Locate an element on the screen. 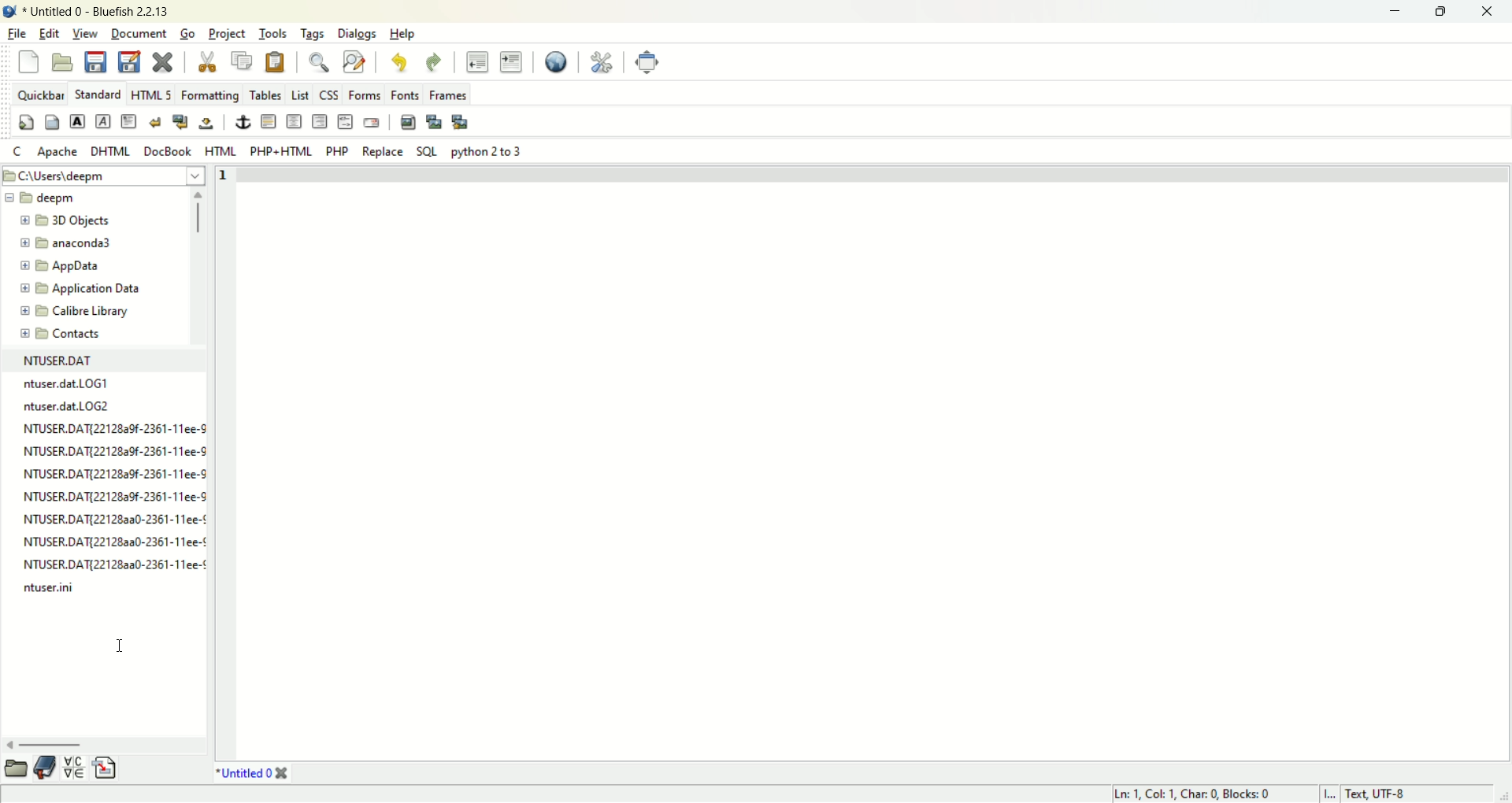 The image size is (1512, 803). file path is located at coordinates (105, 175).